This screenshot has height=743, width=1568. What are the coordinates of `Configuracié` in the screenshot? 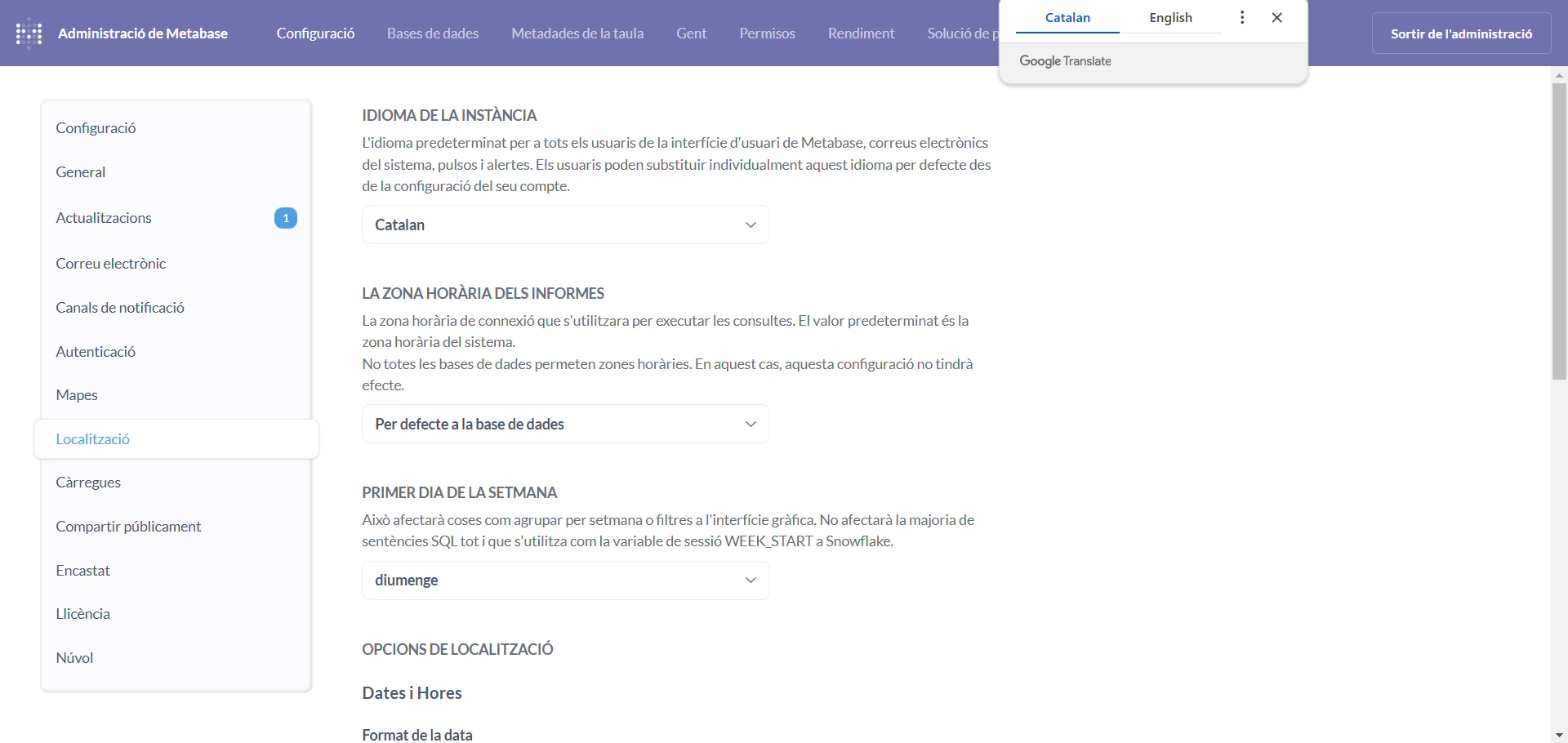 It's located at (315, 31).